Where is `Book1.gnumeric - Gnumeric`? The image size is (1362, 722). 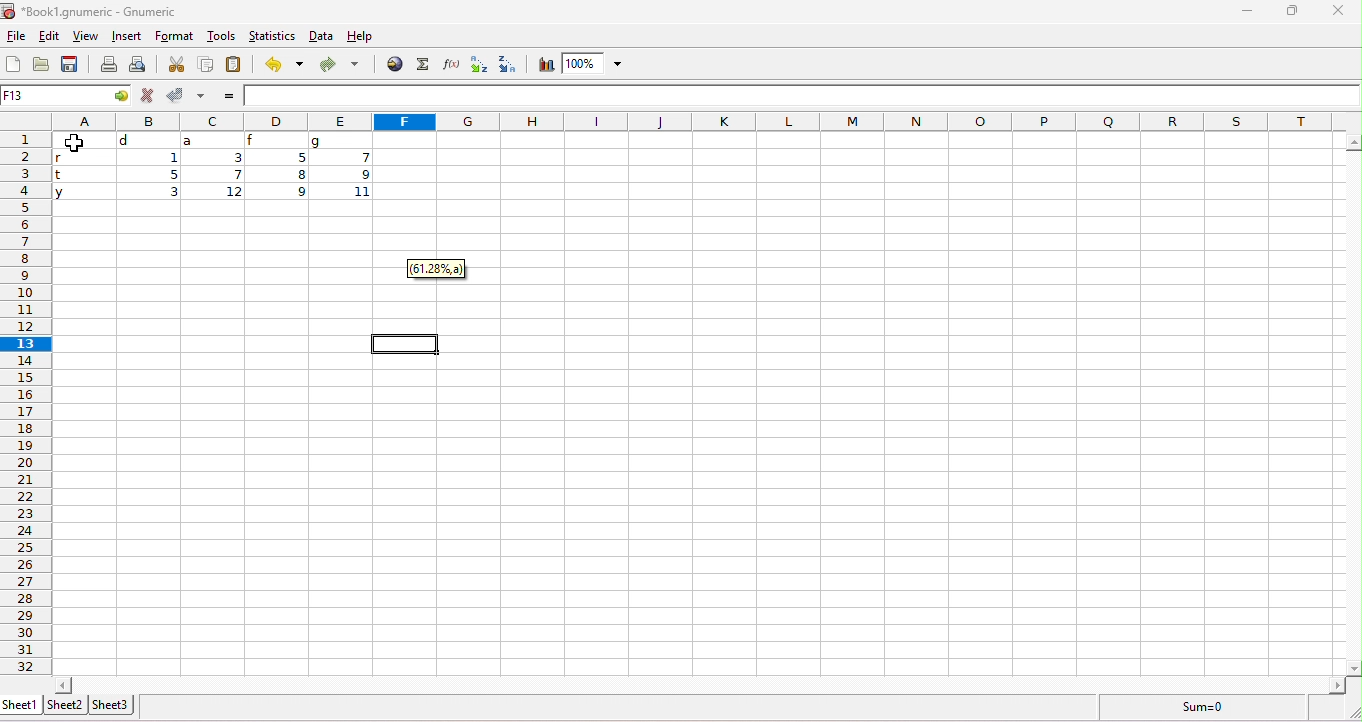 Book1.gnumeric - Gnumeric is located at coordinates (92, 11).